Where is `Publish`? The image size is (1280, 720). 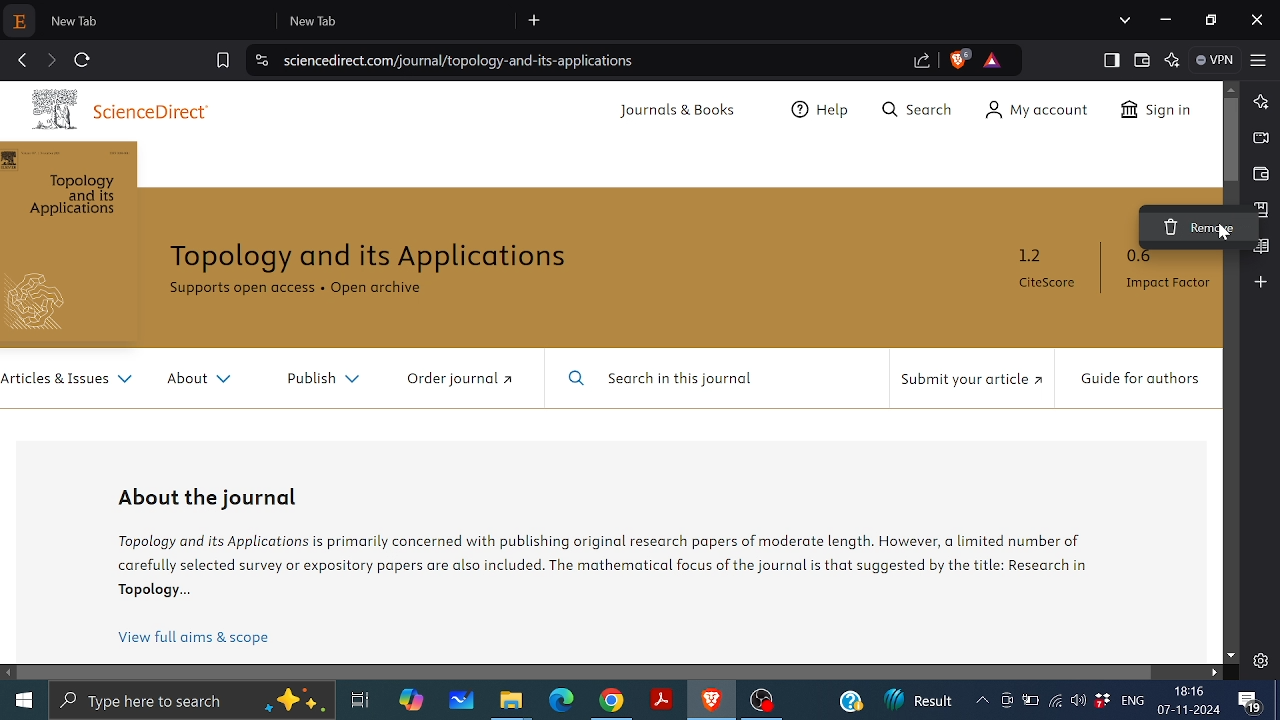
Publish is located at coordinates (327, 381).